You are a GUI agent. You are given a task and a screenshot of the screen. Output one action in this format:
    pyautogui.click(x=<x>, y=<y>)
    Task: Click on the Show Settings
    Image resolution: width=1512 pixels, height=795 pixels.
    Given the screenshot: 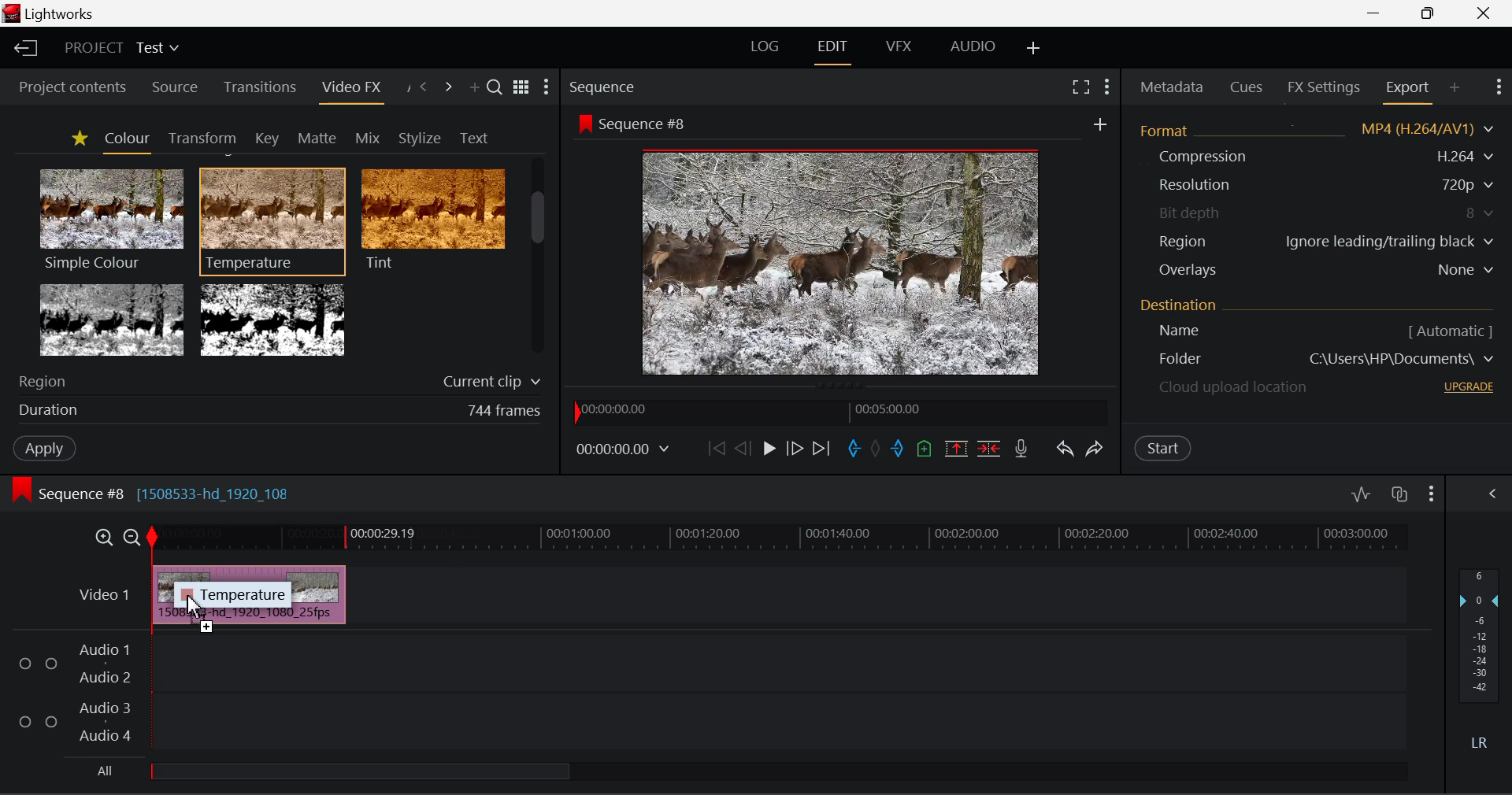 What is the action you would take?
    pyautogui.click(x=1106, y=88)
    